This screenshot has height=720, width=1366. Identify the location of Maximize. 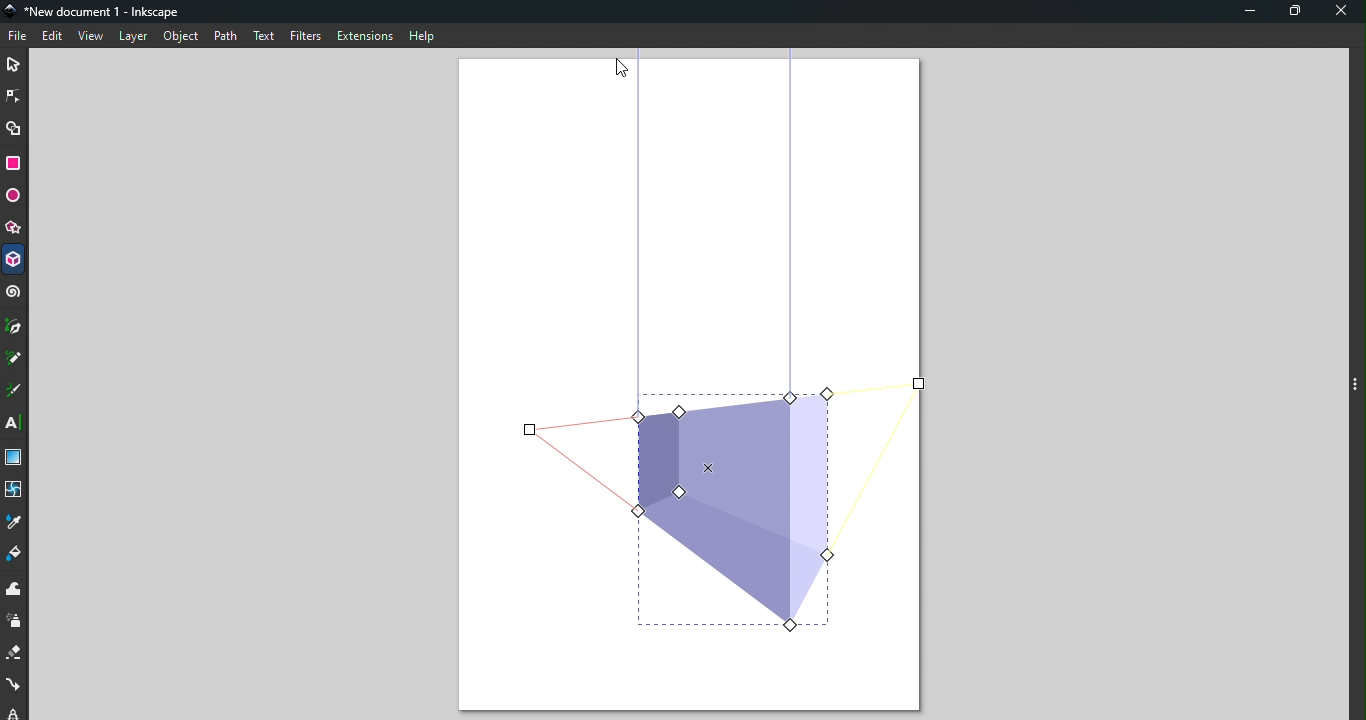
(1295, 14).